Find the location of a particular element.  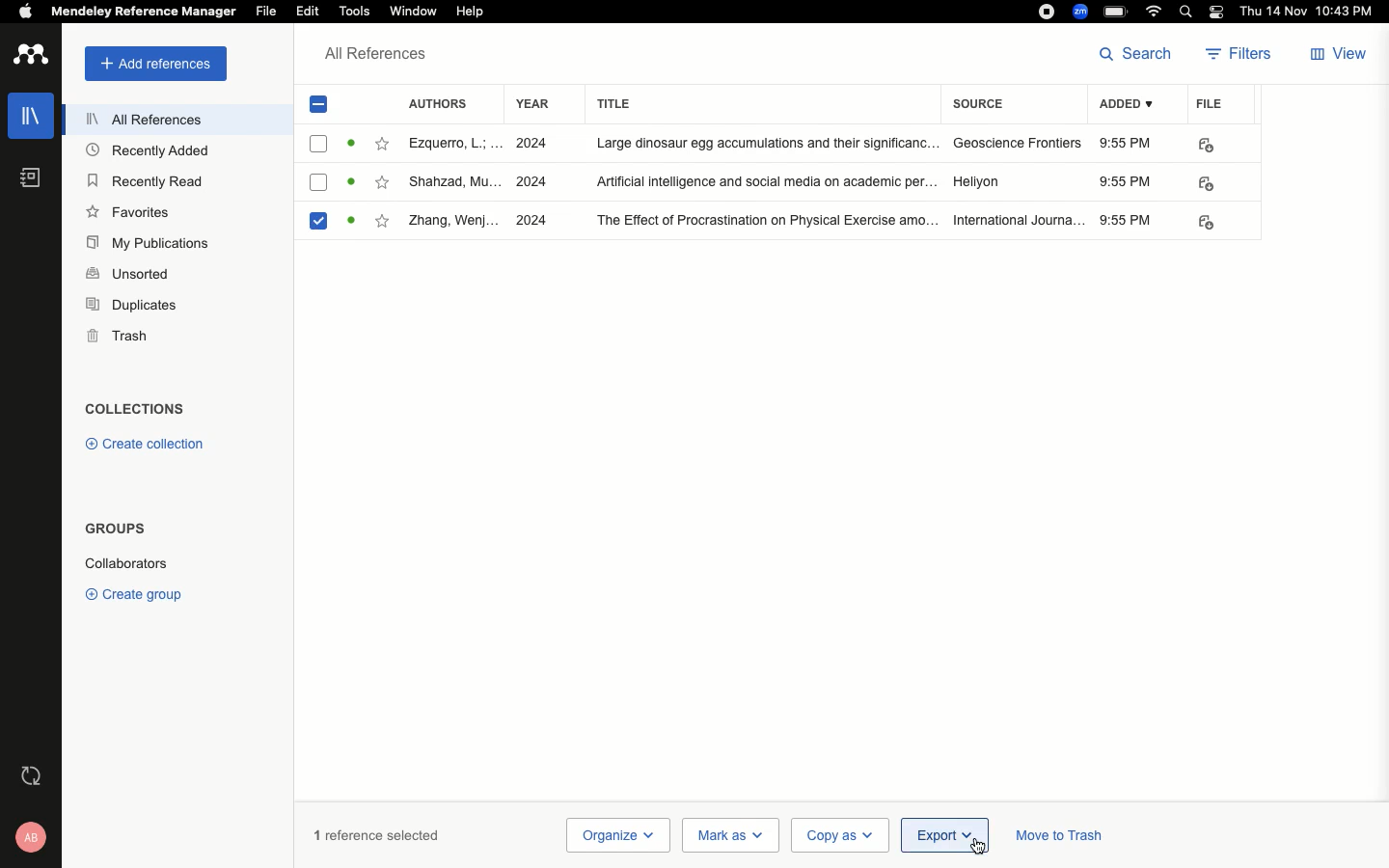

Search is located at coordinates (1139, 53).